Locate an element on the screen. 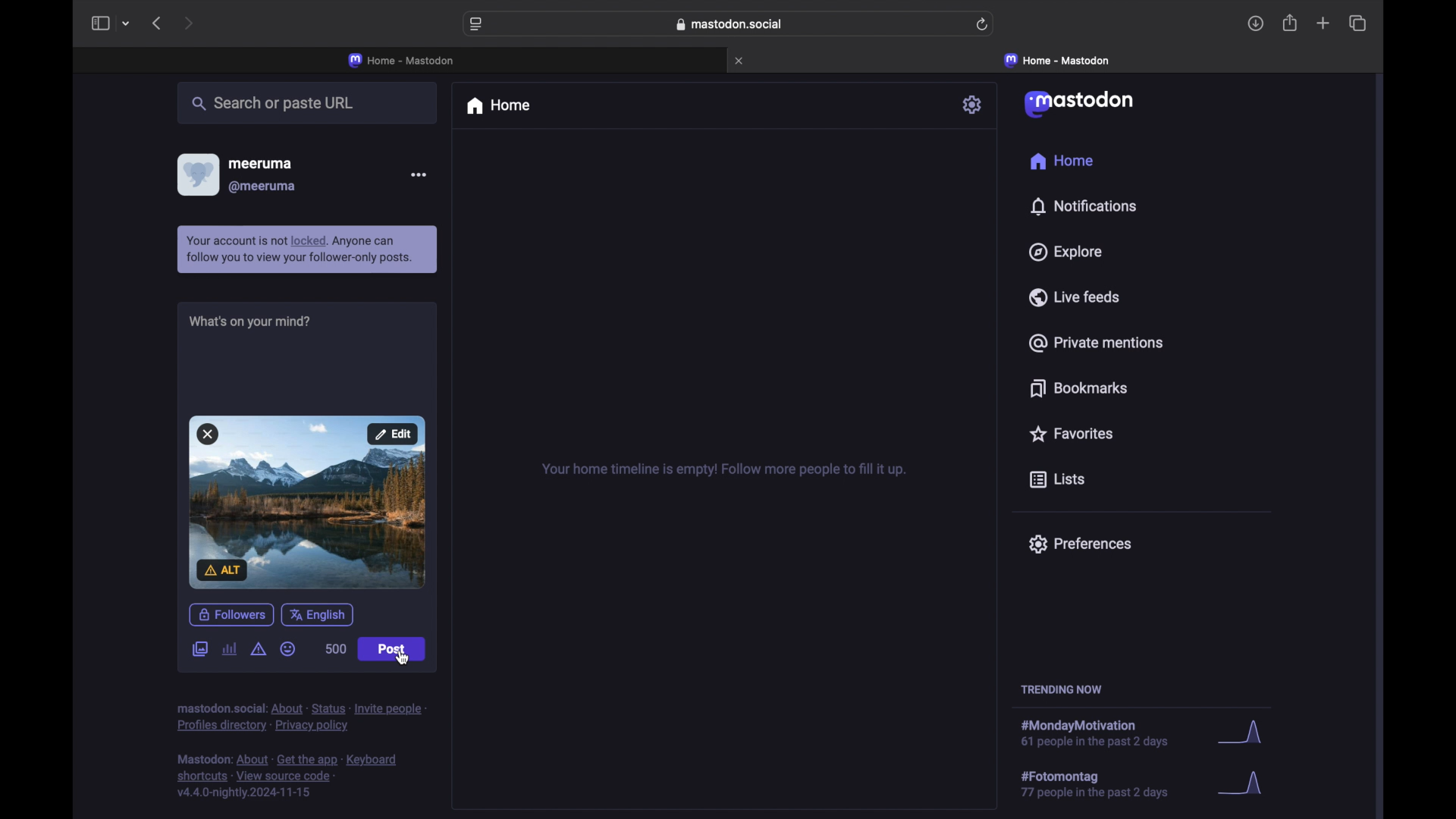  profile picture is located at coordinates (197, 174).